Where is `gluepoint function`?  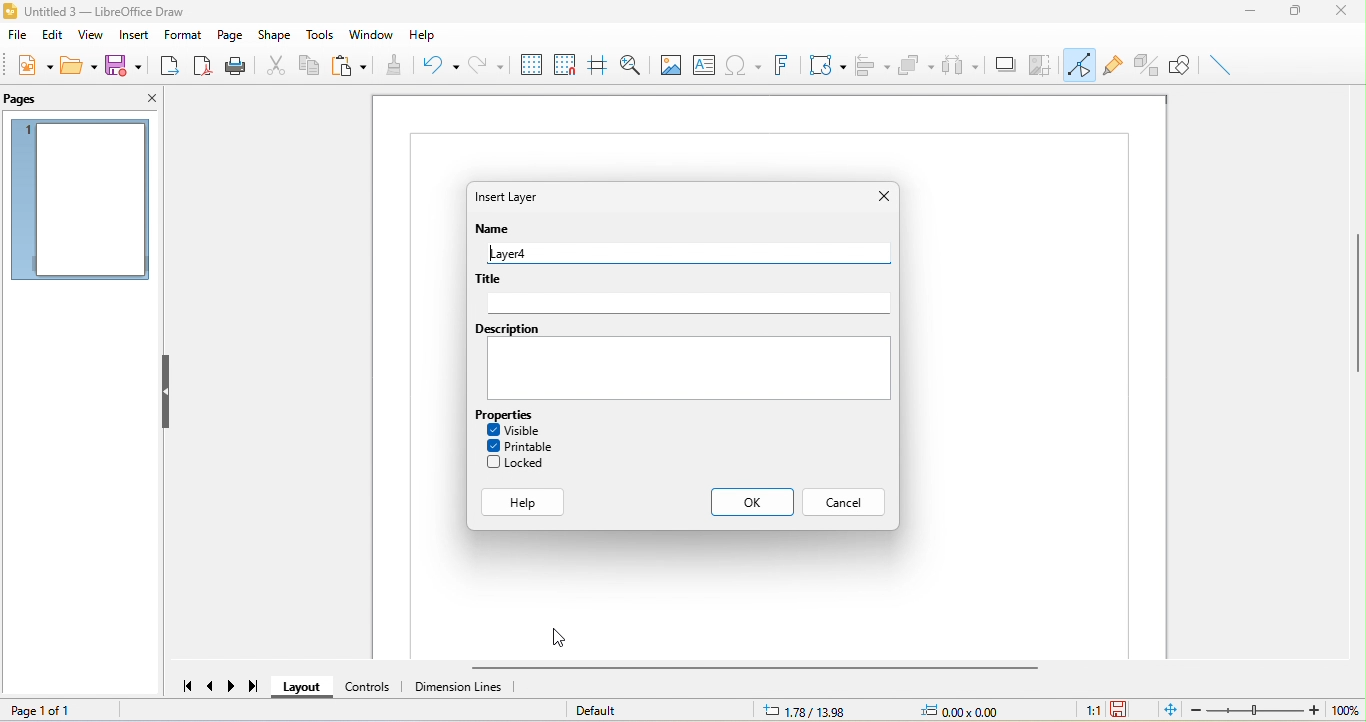
gluepoint function is located at coordinates (1115, 65).